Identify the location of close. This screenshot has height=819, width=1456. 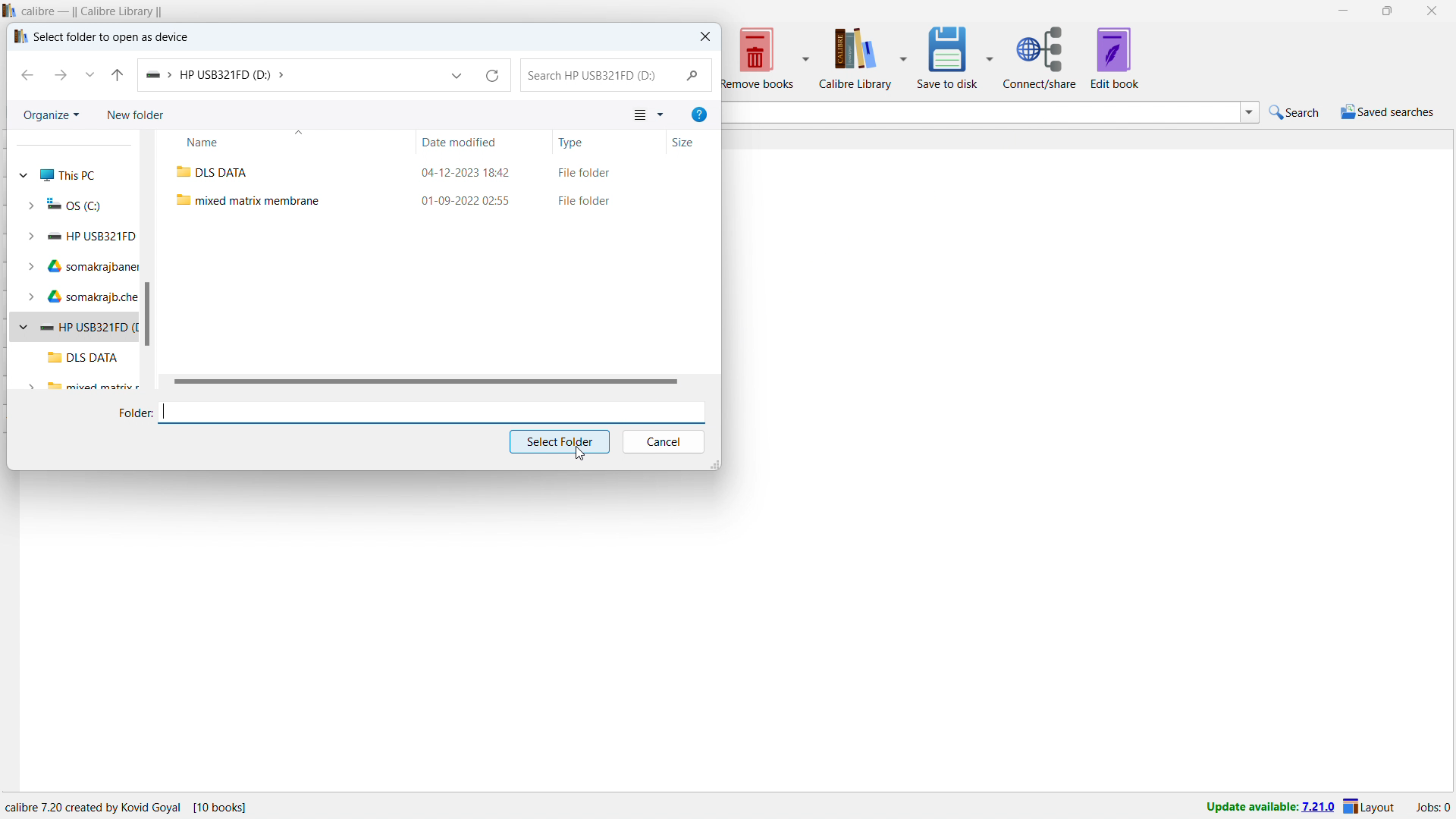
(1431, 11).